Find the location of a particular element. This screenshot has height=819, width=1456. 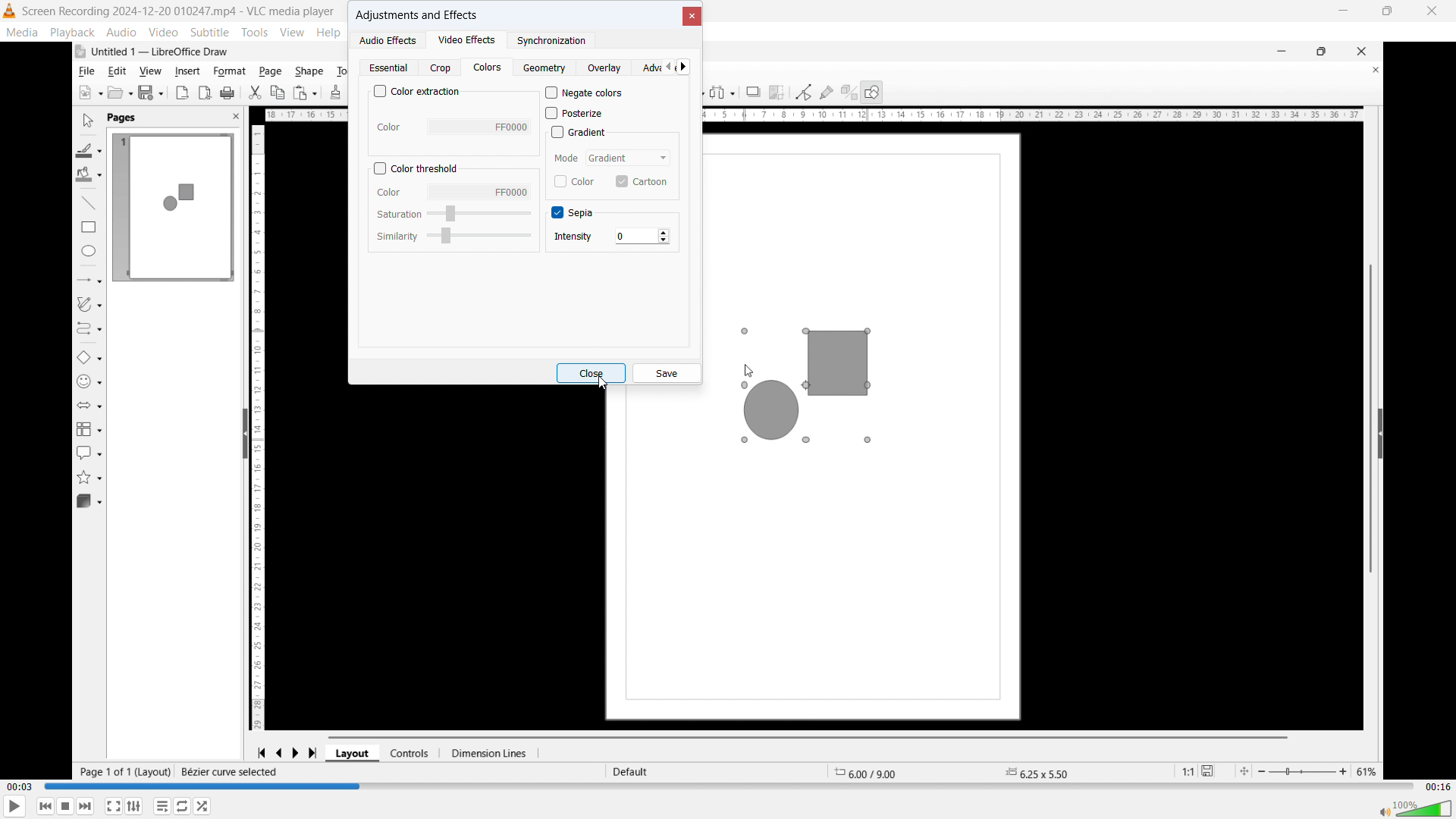

Gradient  is located at coordinates (579, 133).